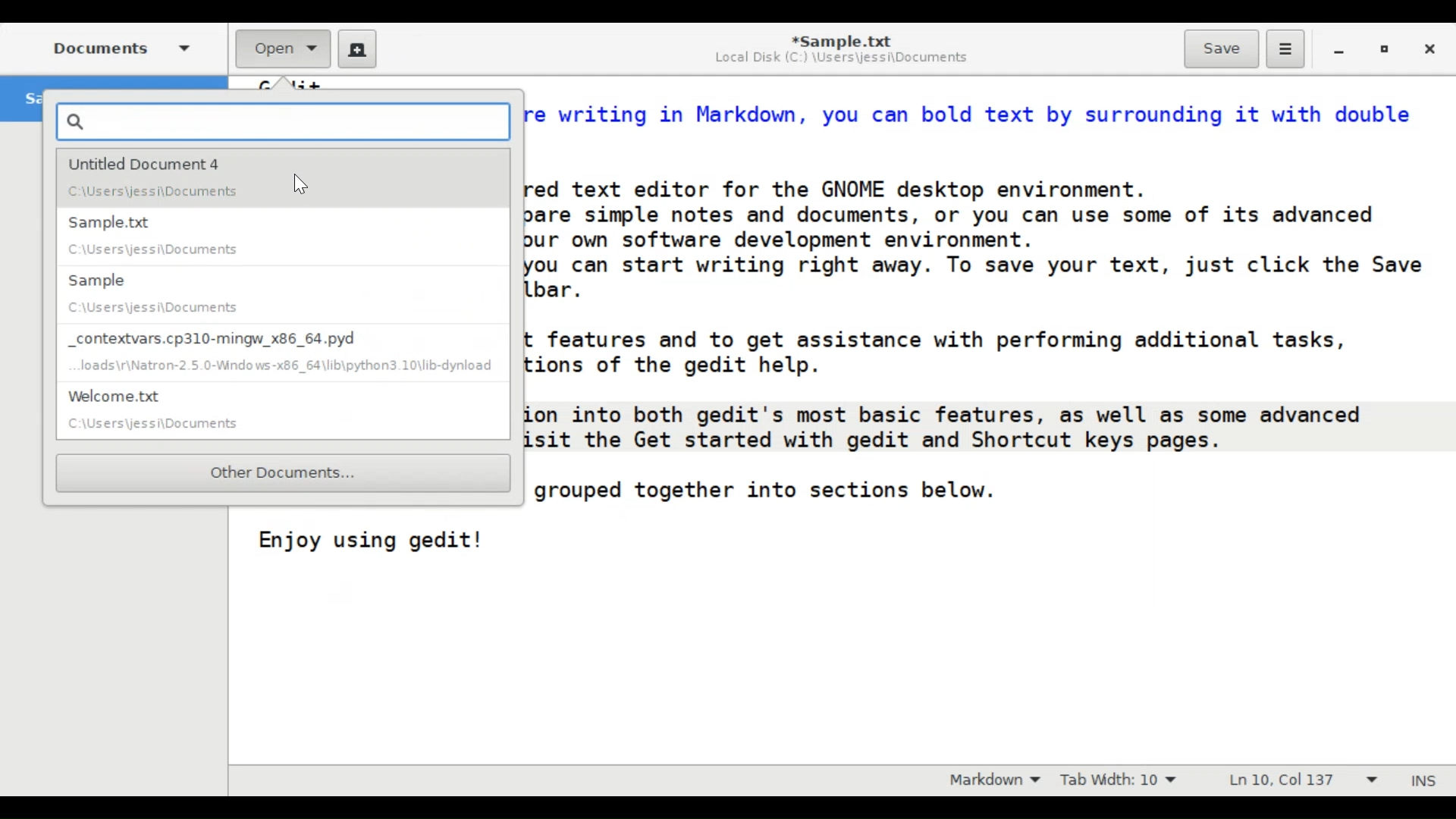 This screenshot has height=819, width=1456. What do you see at coordinates (284, 411) in the screenshot?
I see `Welcome.txt` at bounding box center [284, 411].